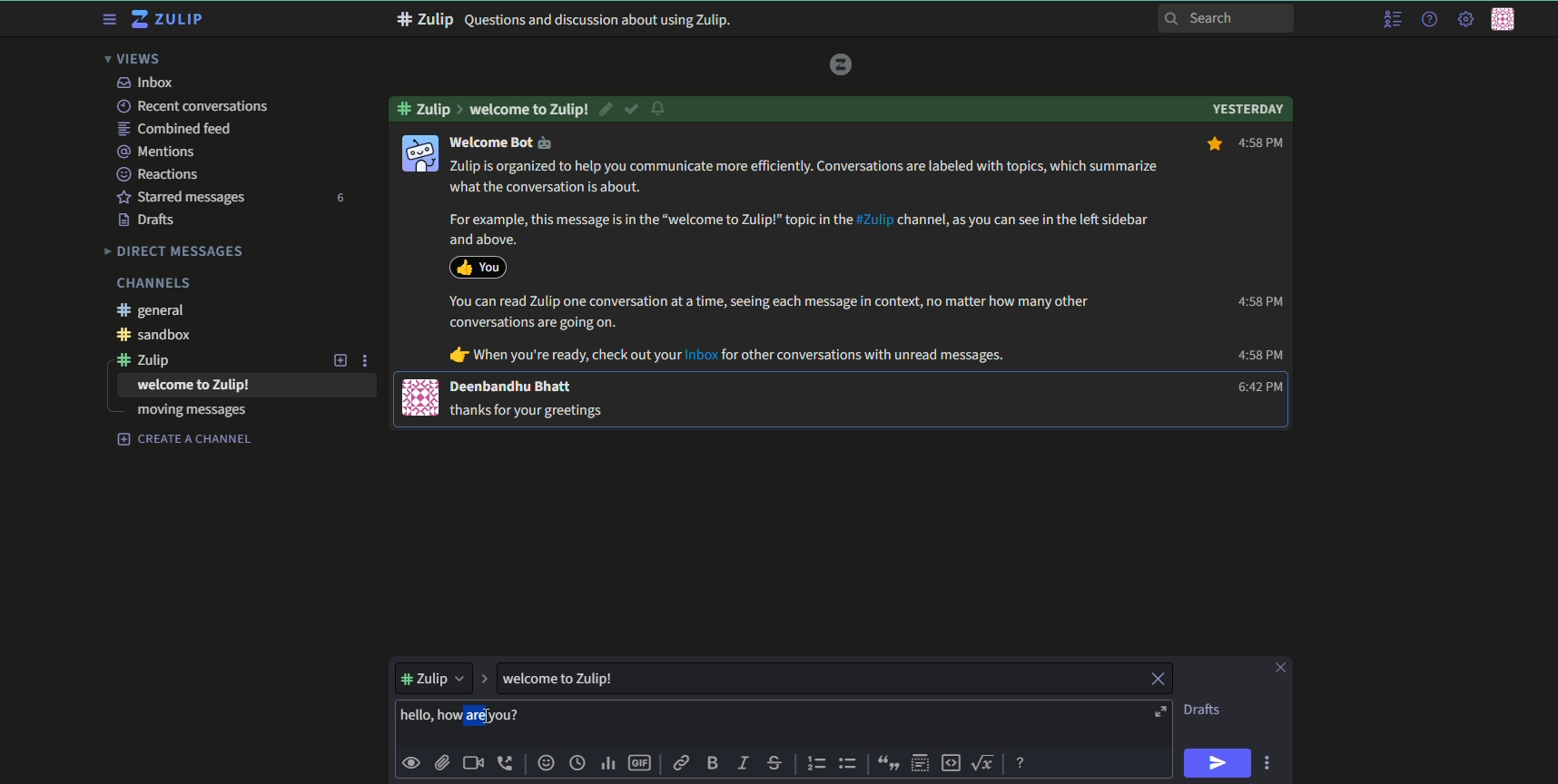  What do you see at coordinates (642, 765) in the screenshot?
I see `add gif` at bounding box center [642, 765].